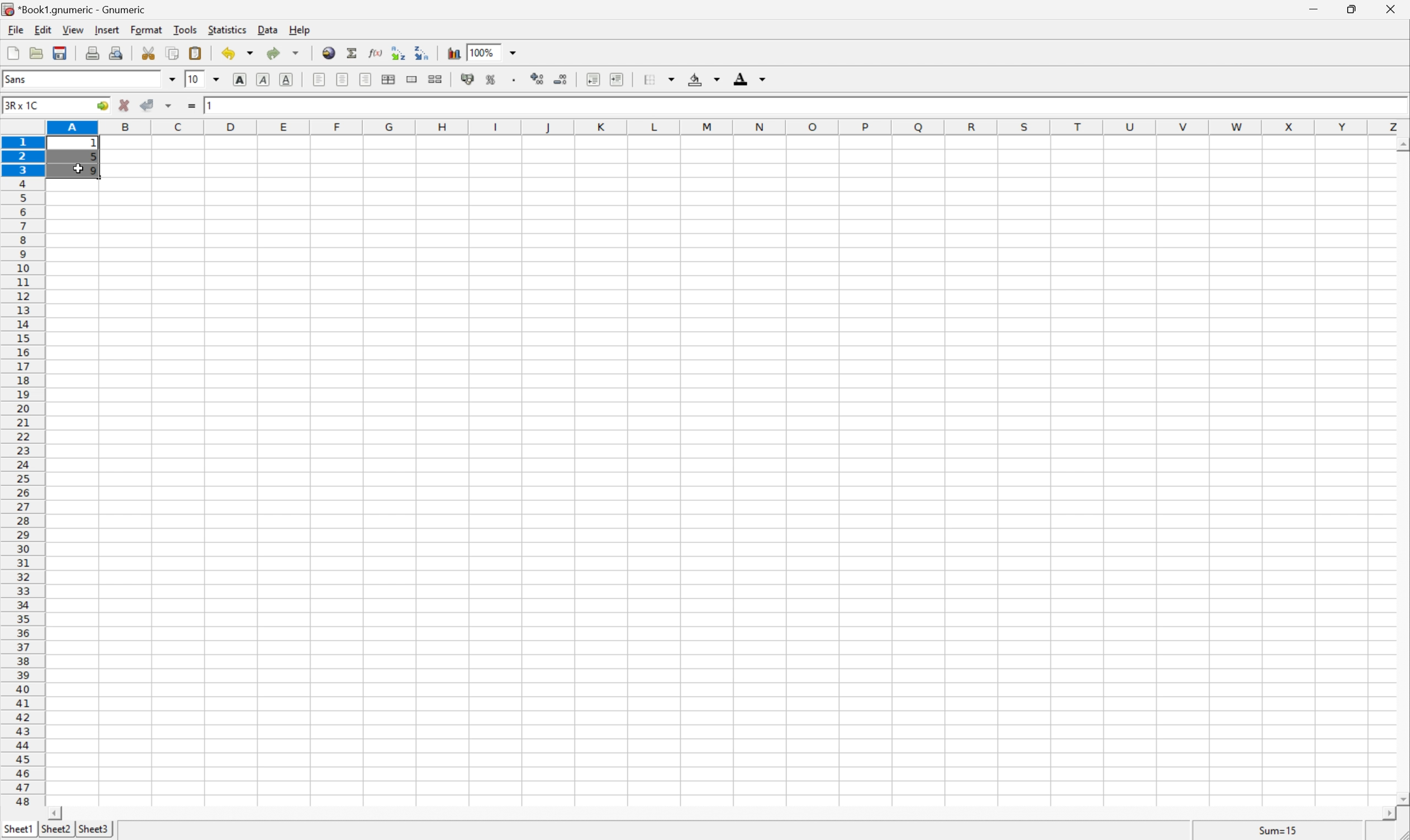 The width and height of the screenshot is (1410, 840). I want to click on format selection as percentage, so click(491, 79).